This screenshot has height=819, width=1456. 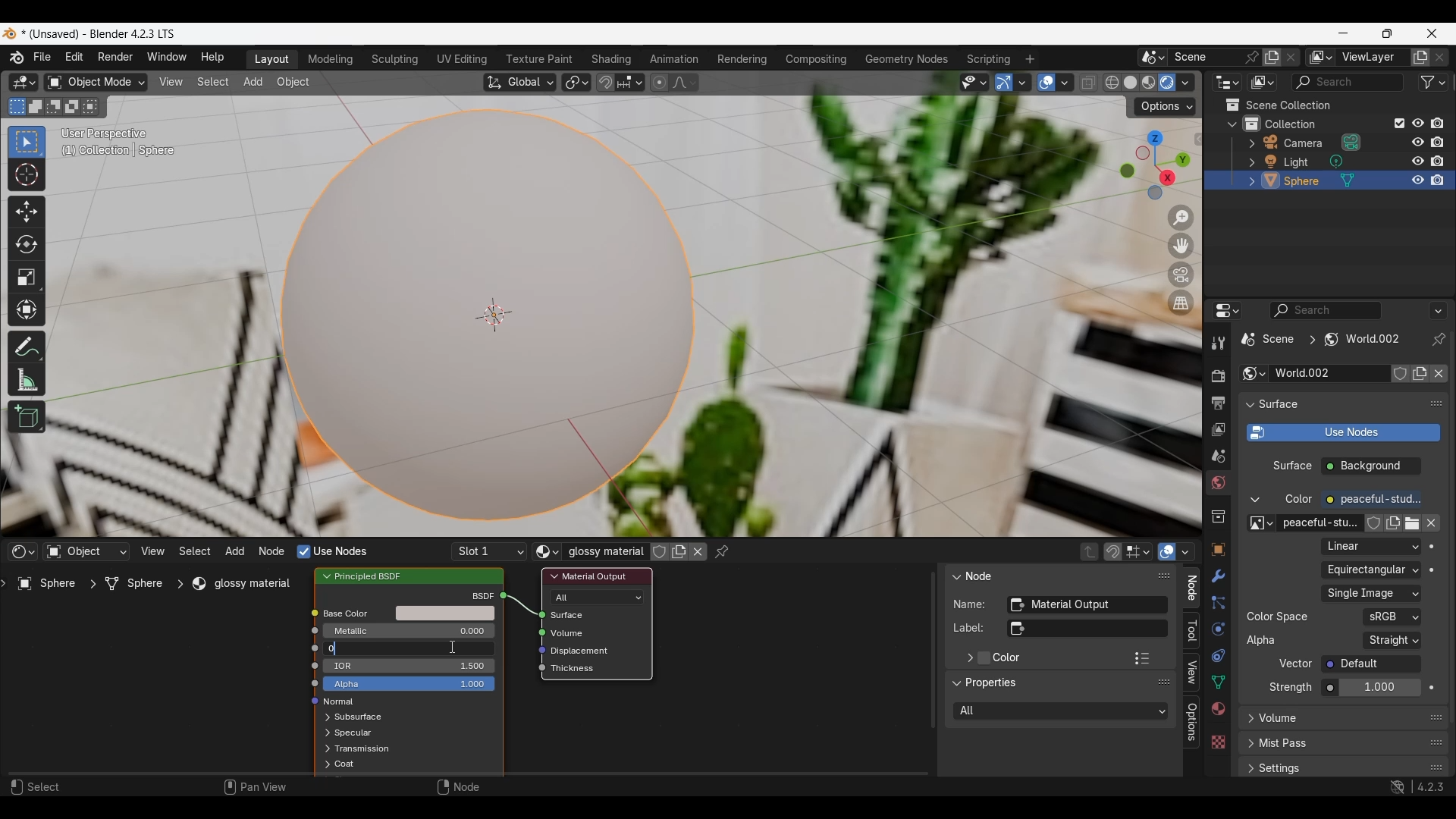 What do you see at coordinates (1417, 123) in the screenshot?
I see `Respectively hide in viewport` at bounding box center [1417, 123].